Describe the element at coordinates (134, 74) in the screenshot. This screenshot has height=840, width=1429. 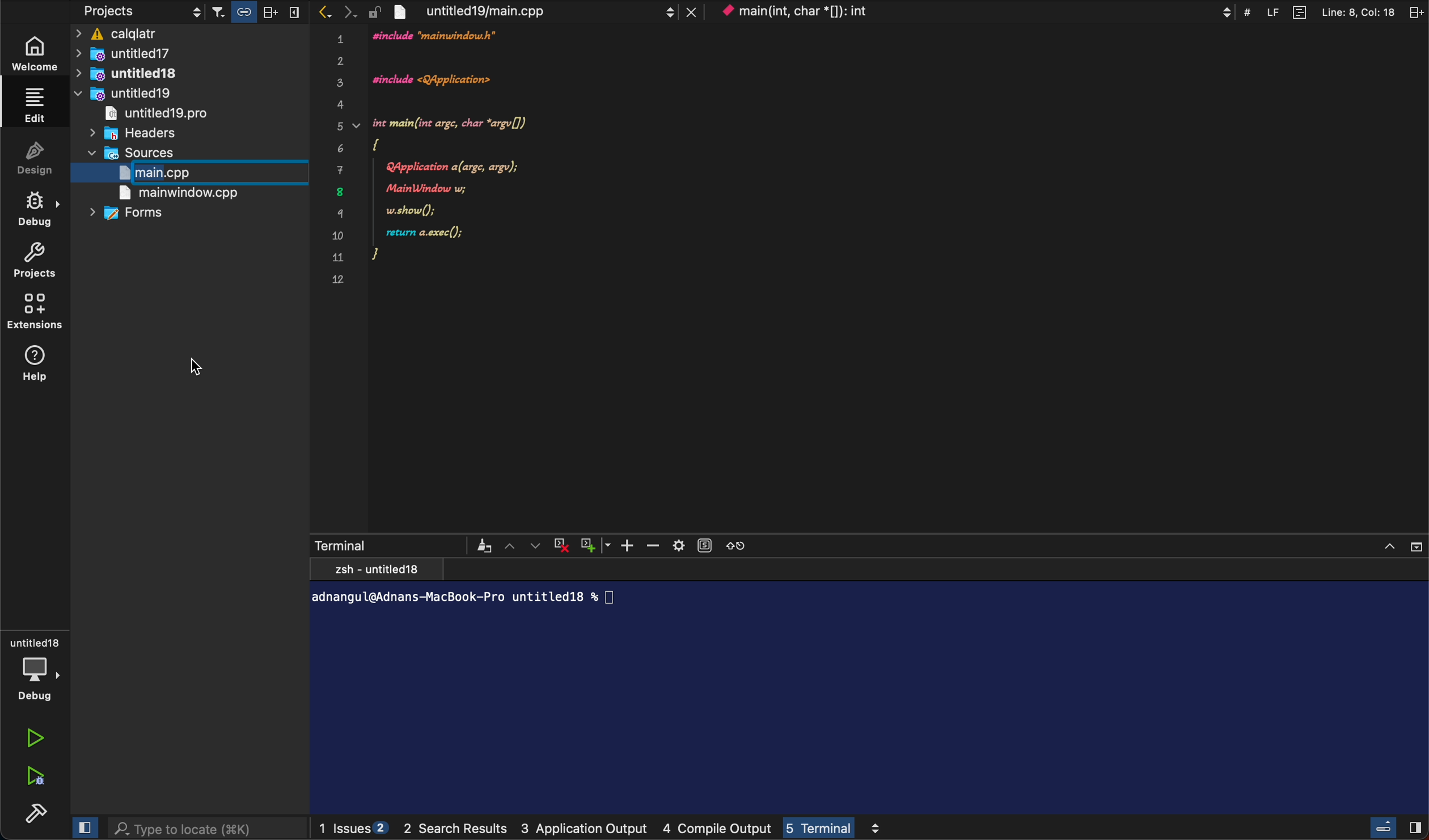
I see `untitlewd18` at that location.